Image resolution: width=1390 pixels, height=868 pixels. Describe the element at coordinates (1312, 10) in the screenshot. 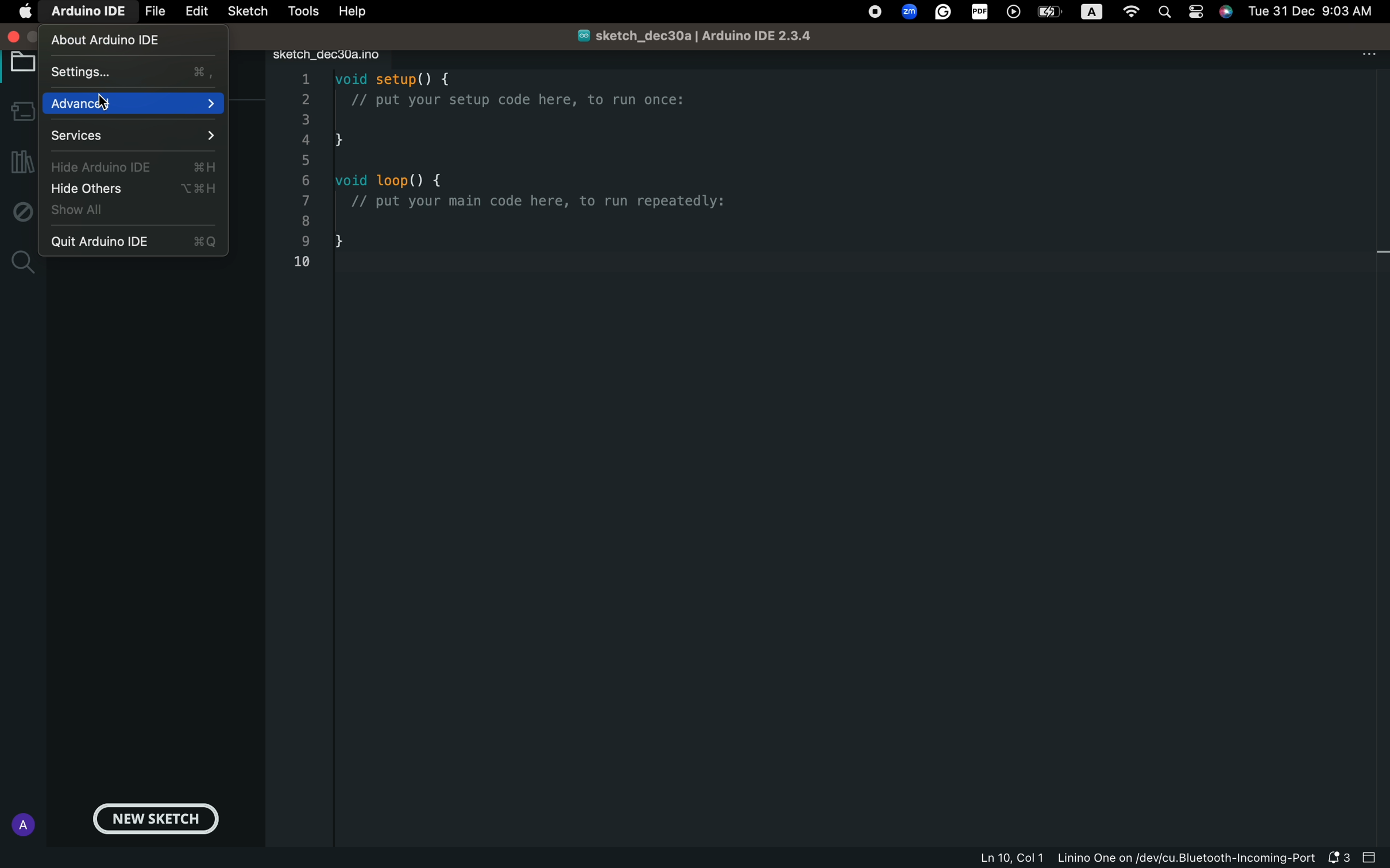

I see `Date` at that location.